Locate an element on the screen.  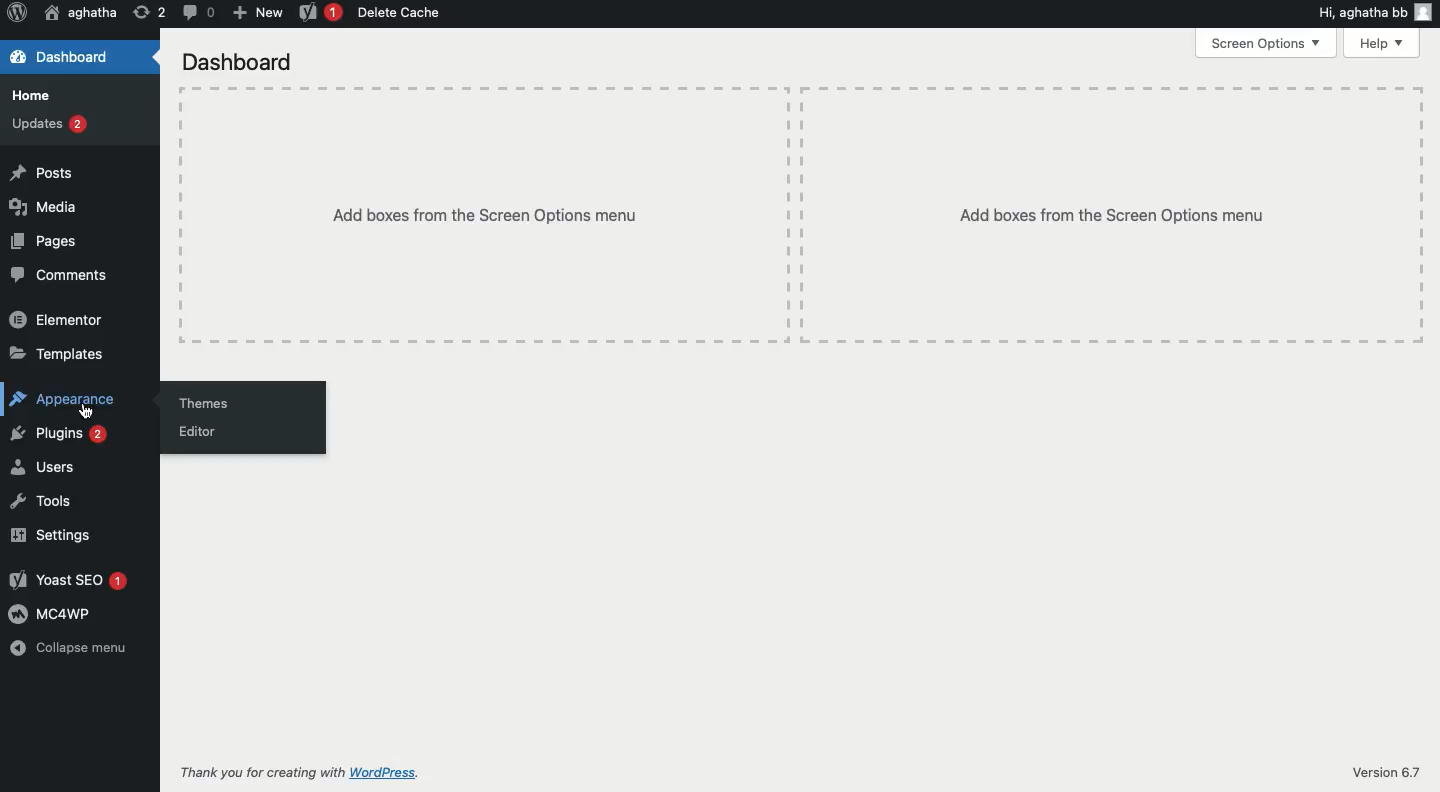
Dashboard is located at coordinates (241, 62).